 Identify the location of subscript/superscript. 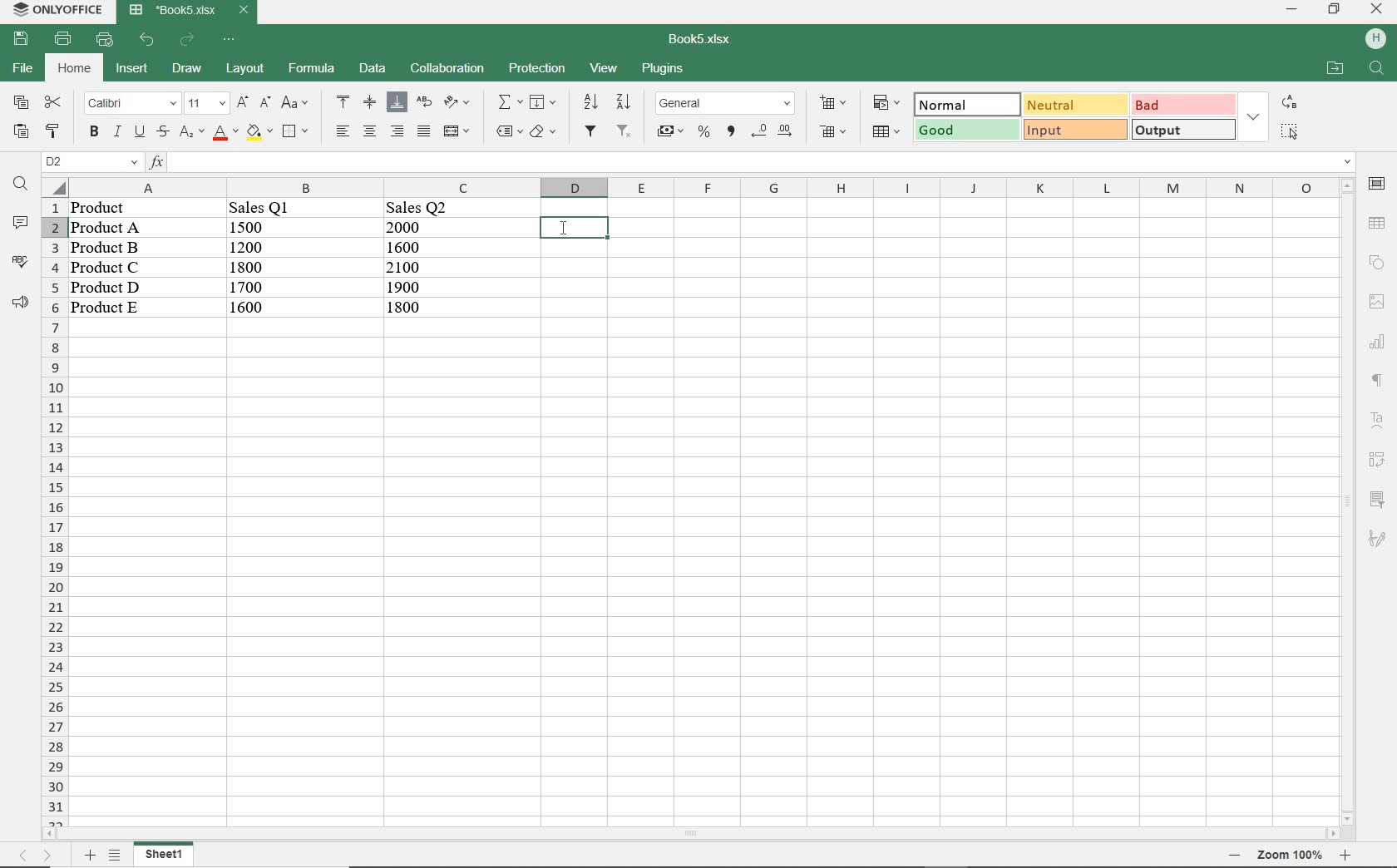
(190, 133).